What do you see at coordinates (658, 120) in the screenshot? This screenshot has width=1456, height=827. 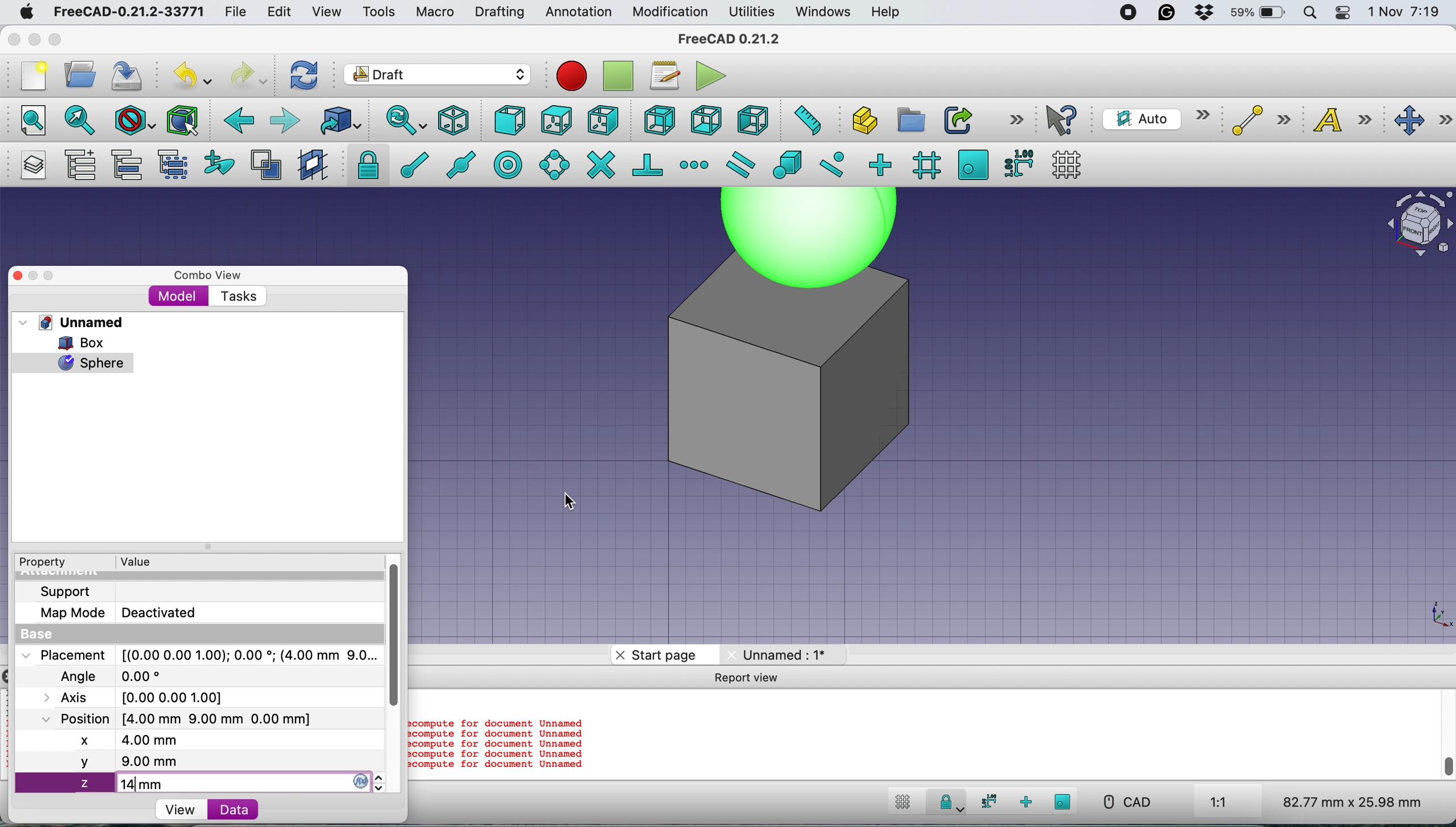 I see `rear` at bounding box center [658, 120].